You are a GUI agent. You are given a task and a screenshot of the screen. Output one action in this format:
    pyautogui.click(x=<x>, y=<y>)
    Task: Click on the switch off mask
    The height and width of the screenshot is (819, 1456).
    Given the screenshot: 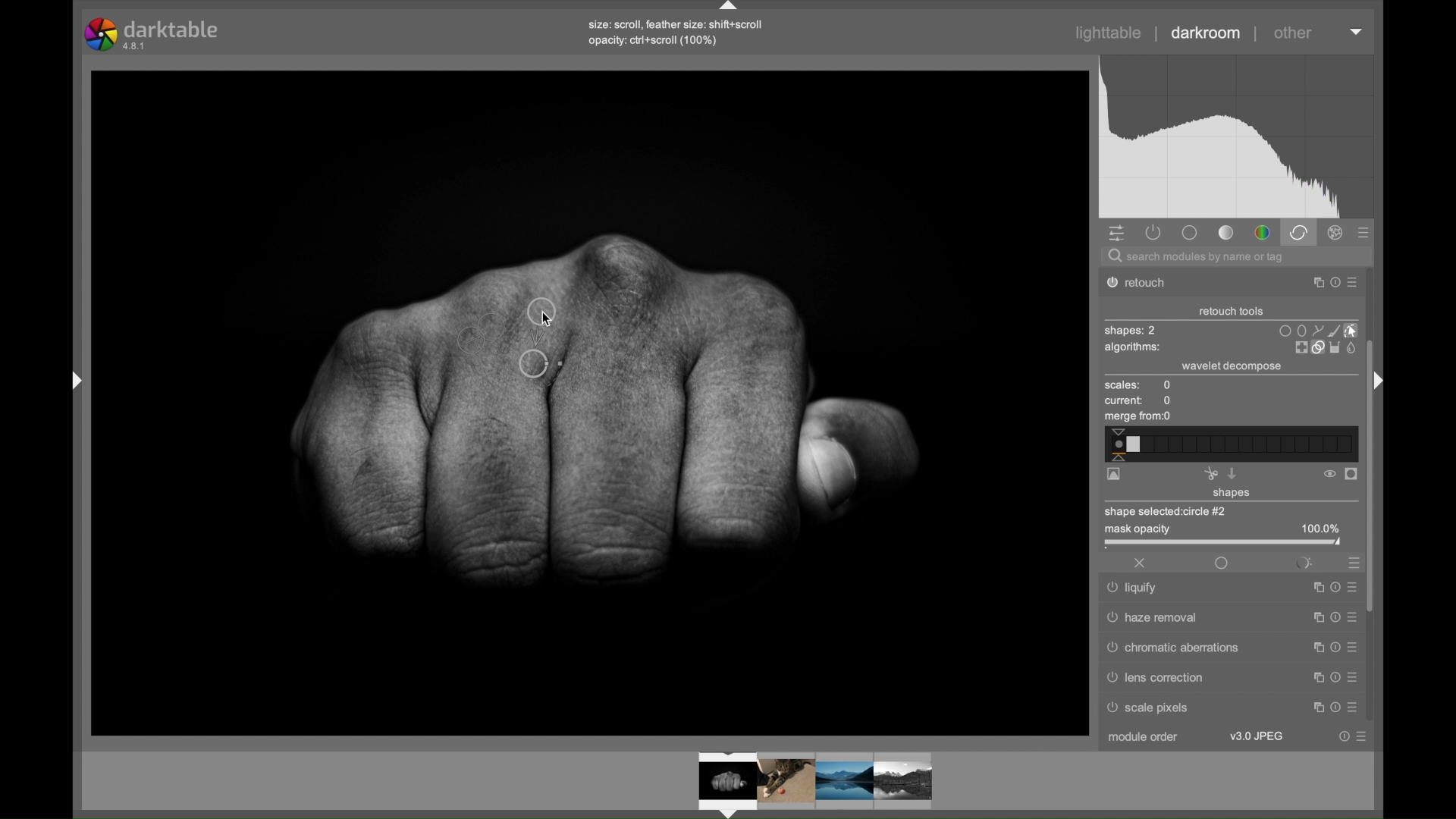 What is the action you would take?
    pyautogui.click(x=1329, y=474)
    